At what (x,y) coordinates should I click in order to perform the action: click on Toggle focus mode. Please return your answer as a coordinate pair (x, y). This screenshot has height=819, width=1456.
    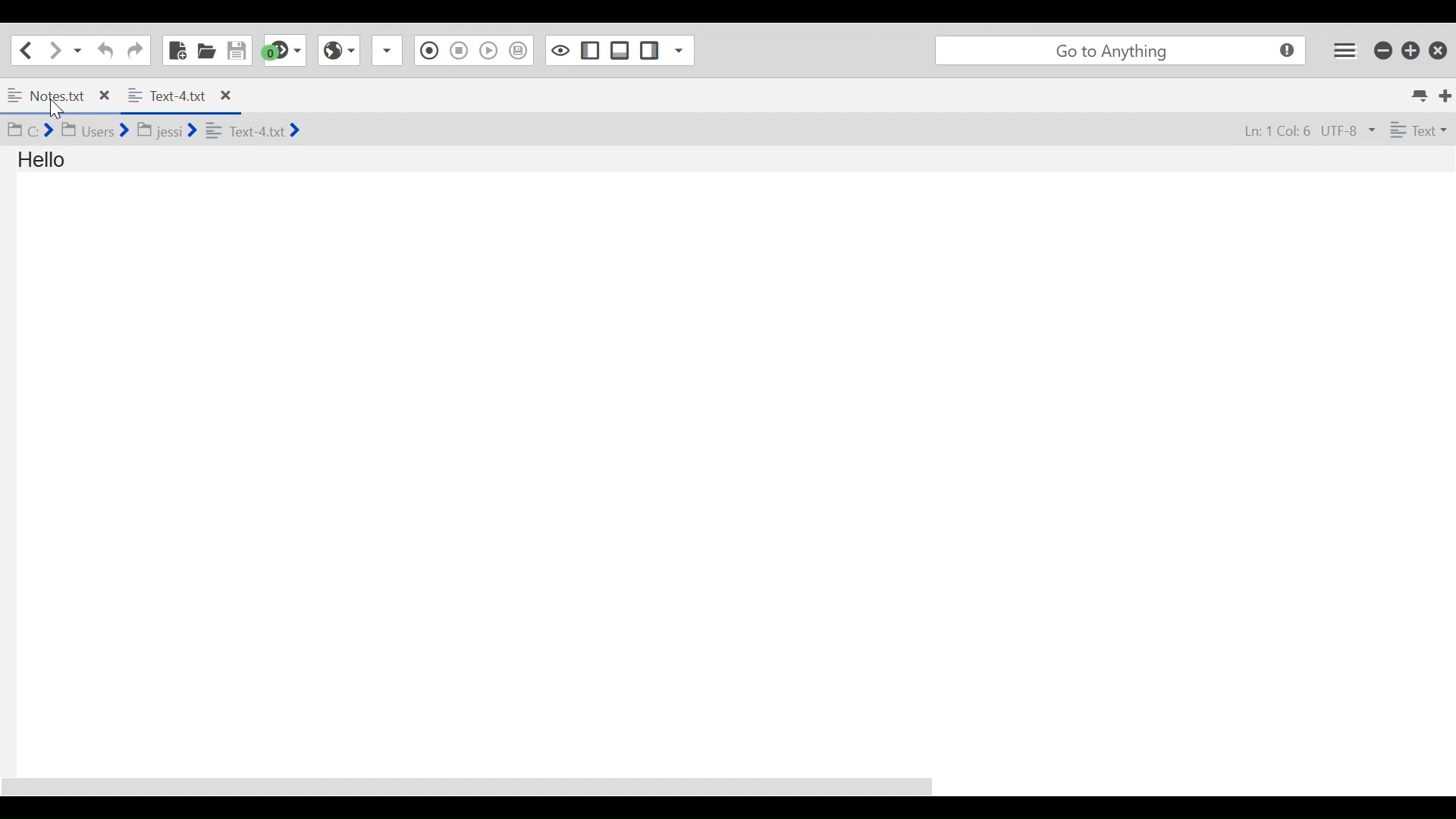
    Looking at the image, I should click on (558, 50).